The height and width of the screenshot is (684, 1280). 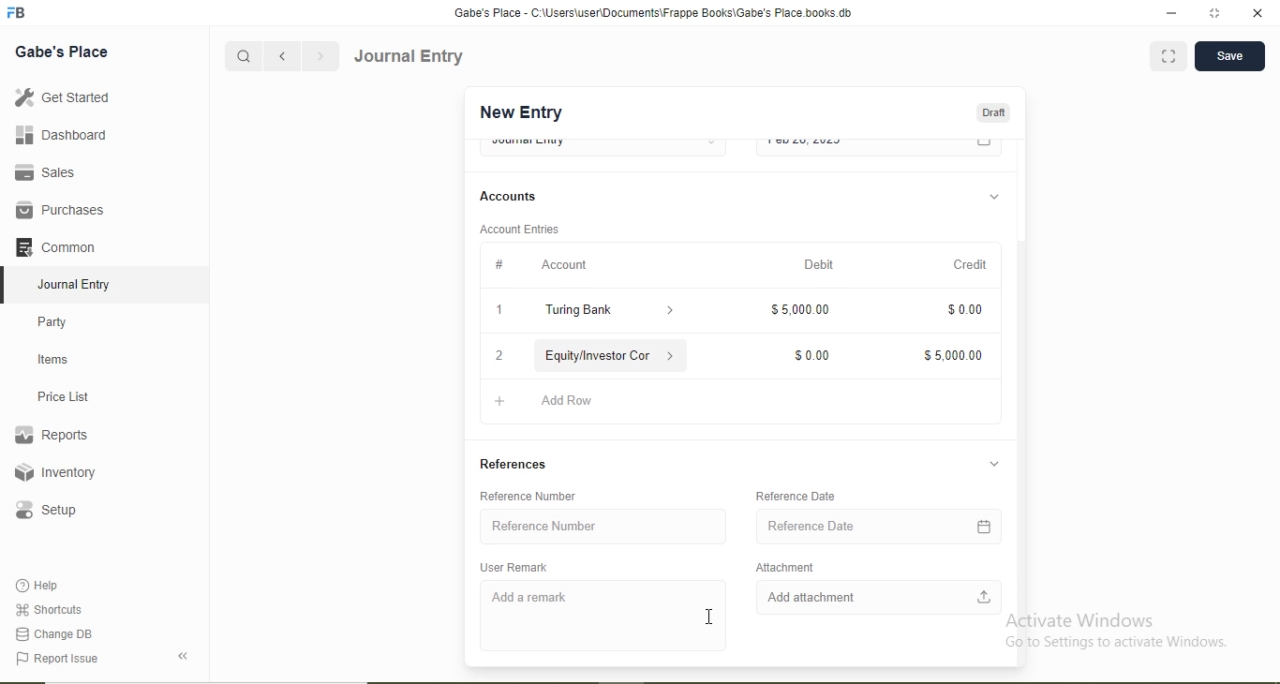 I want to click on 2, so click(x=498, y=358).